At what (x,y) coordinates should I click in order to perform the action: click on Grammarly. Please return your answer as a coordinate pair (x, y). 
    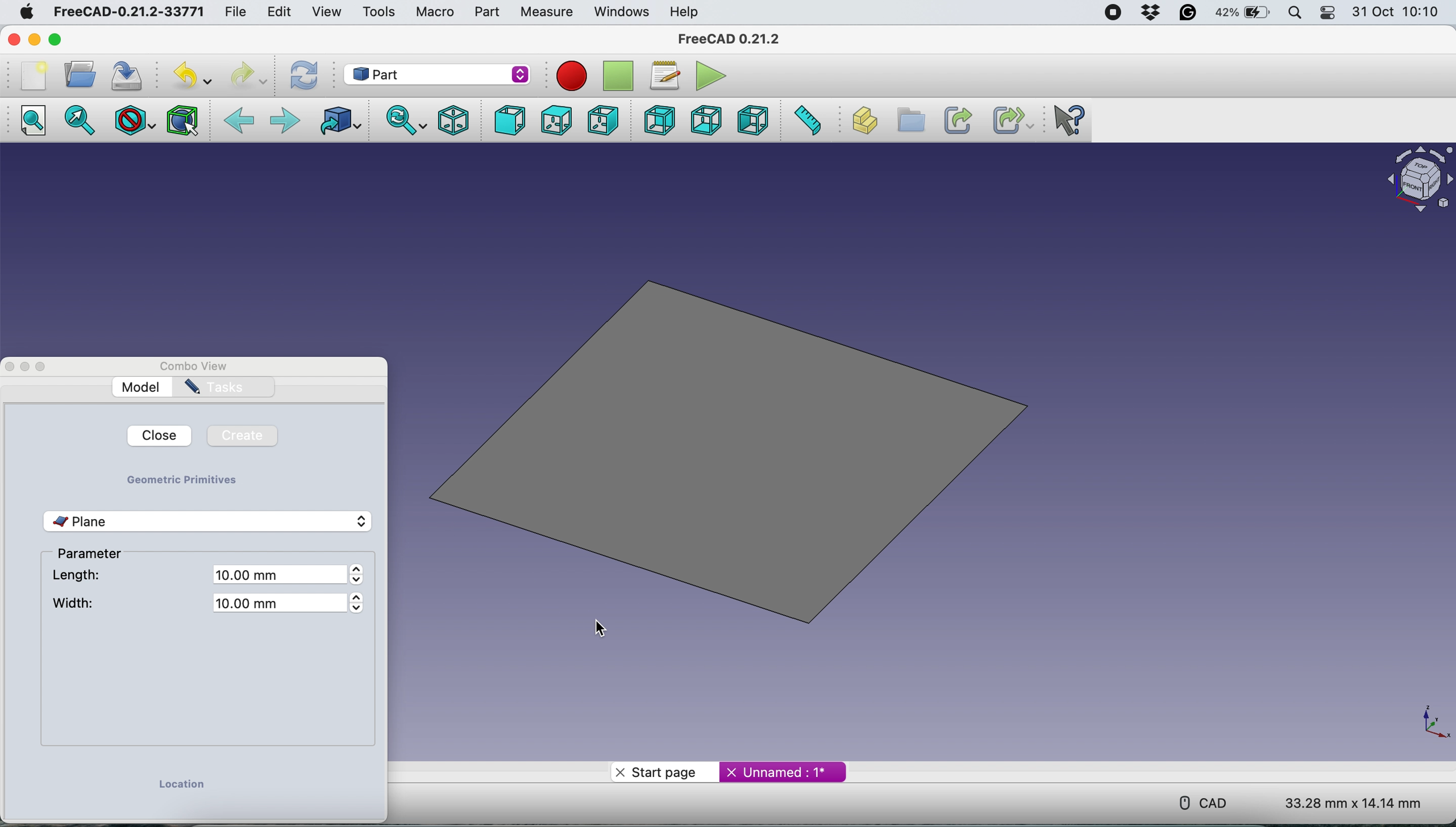
    Looking at the image, I should click on (1189, 12).